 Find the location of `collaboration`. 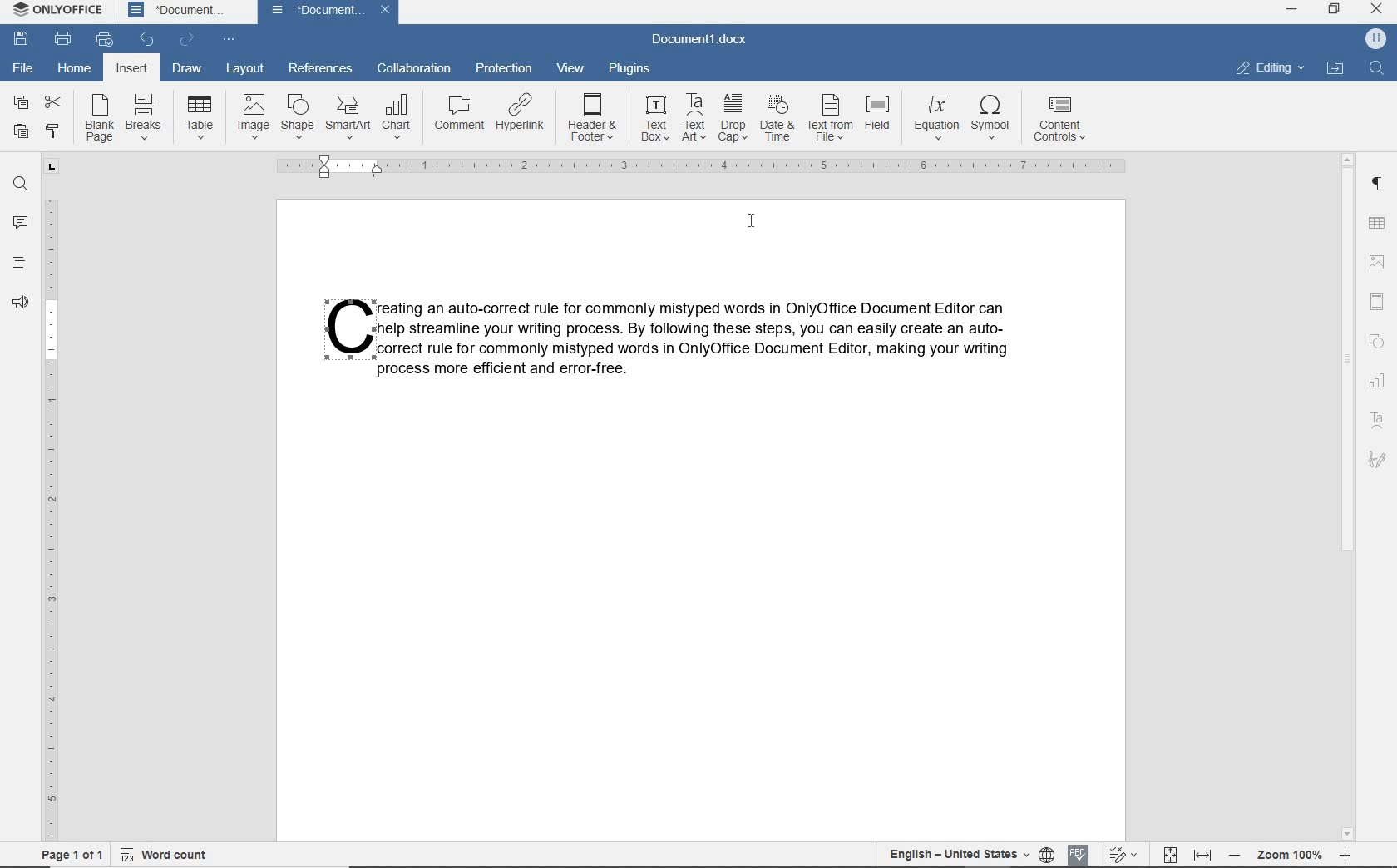

collaboration is located at coordinates (412, 72).